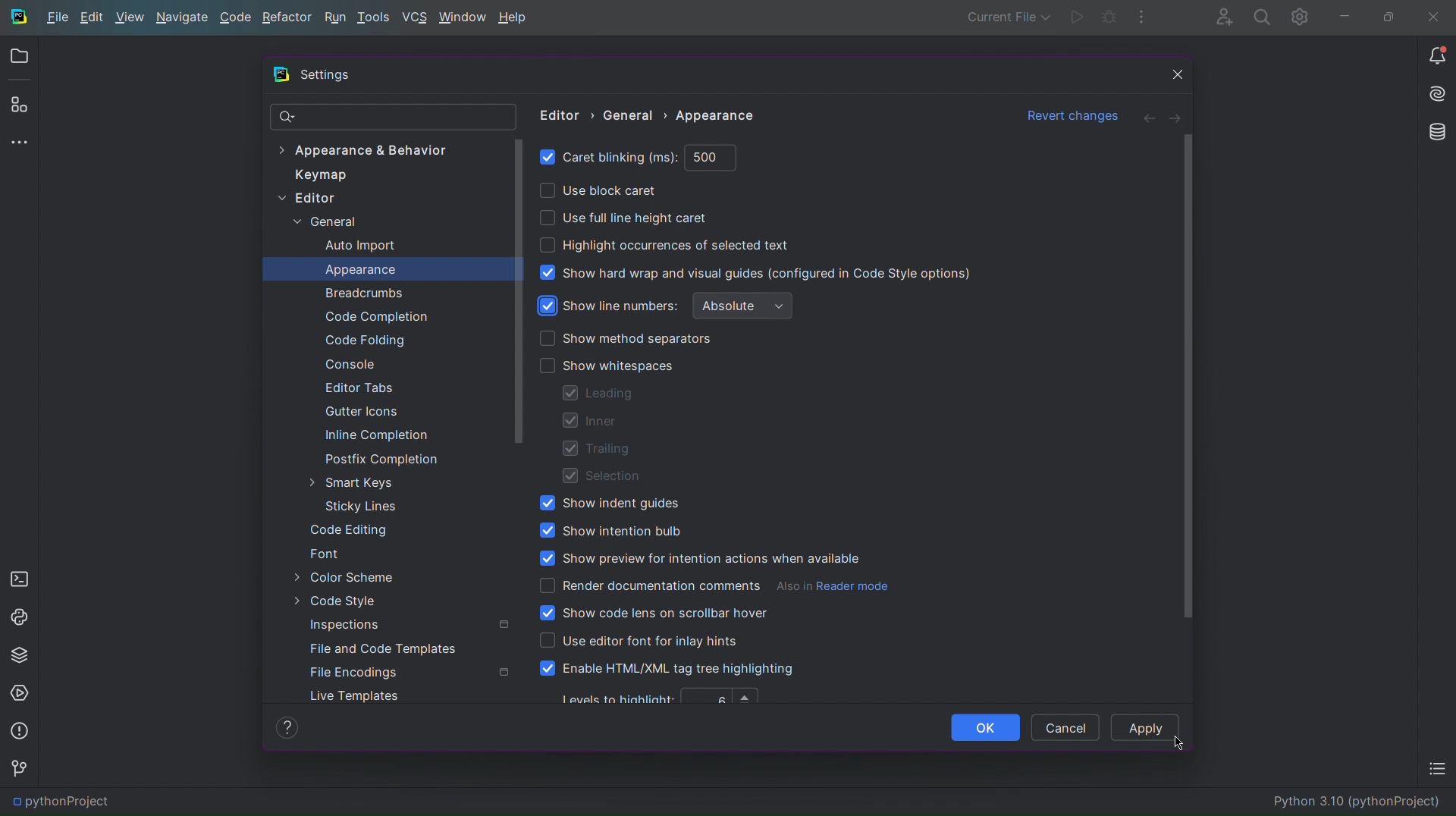  What do you see at coordinates (1145, 727) in the screenshot?
I see `Apply` at bounding box center [1145, 727].